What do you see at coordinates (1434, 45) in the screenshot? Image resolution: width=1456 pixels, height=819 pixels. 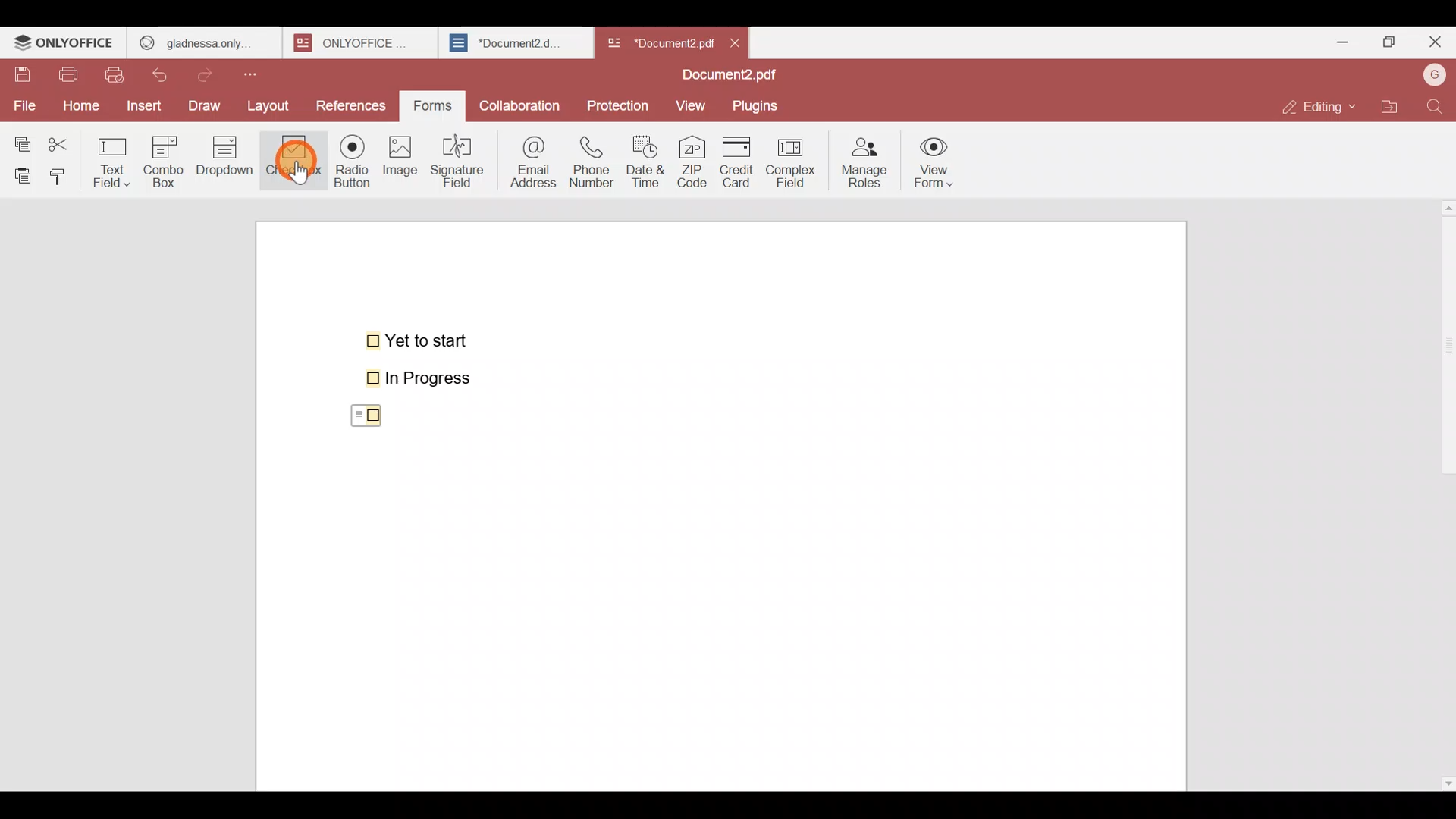 I see `Close` at bounding box center [1434, 45].